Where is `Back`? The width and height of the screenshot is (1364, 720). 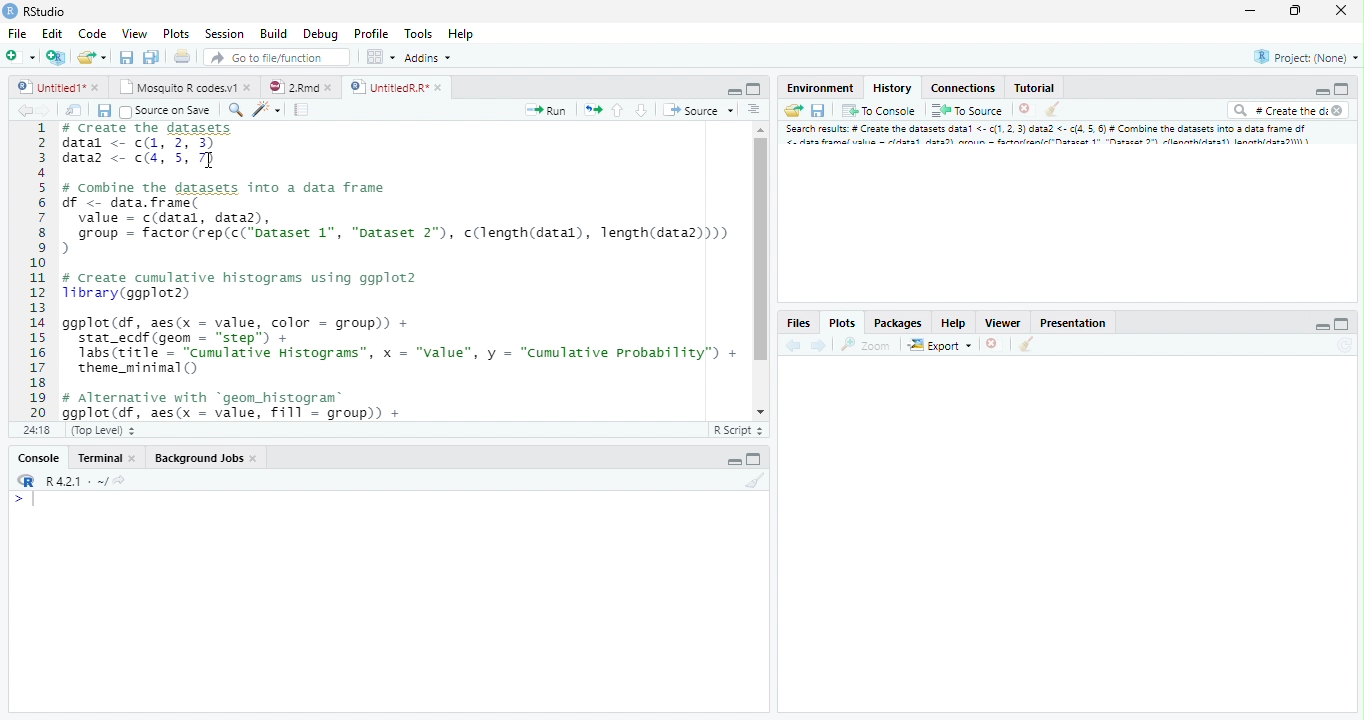
Back is located at coordinates (17, 113).